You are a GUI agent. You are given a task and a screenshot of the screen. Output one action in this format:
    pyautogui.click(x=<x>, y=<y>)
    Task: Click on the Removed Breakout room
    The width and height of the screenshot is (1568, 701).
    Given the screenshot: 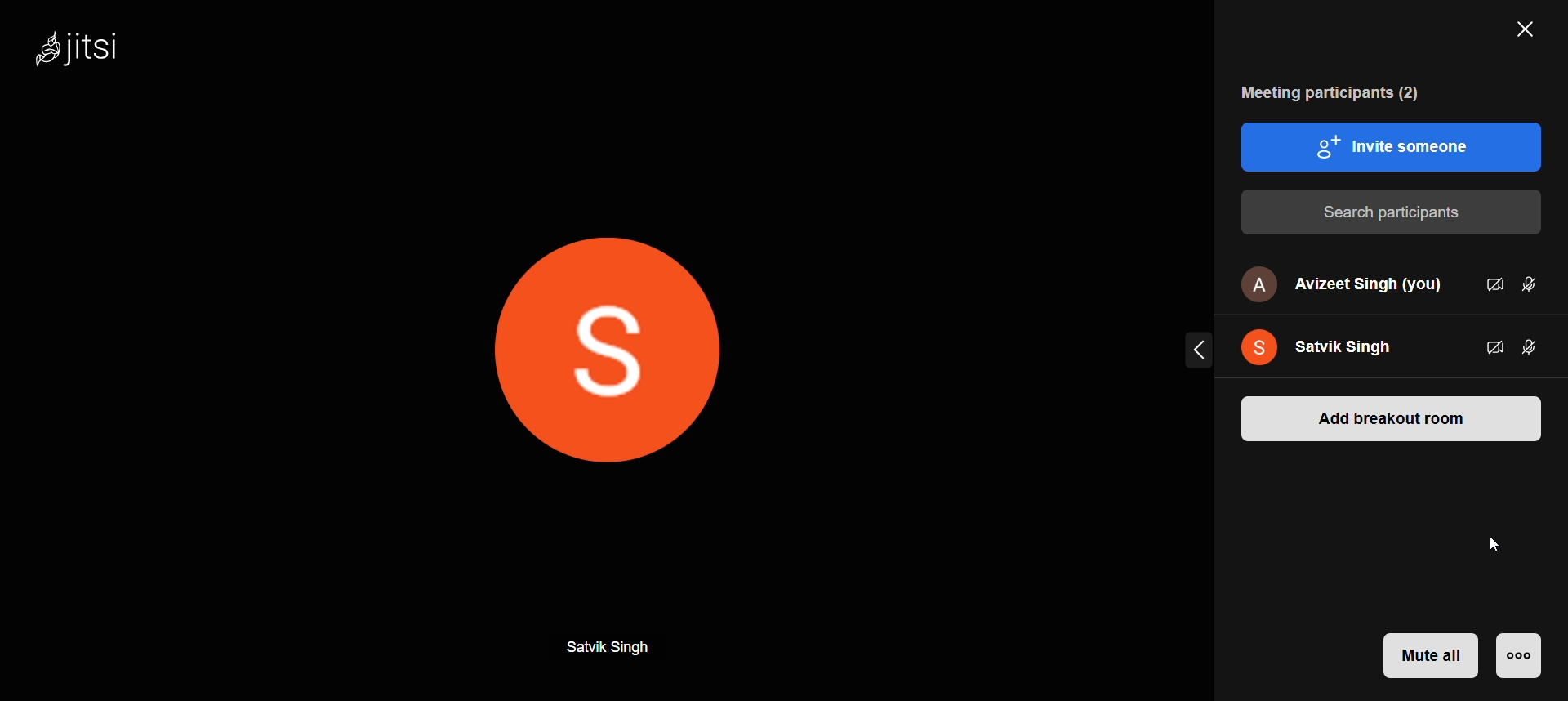 What is the action you would take?
    pyautogui.click(x=1386, y=480)
    